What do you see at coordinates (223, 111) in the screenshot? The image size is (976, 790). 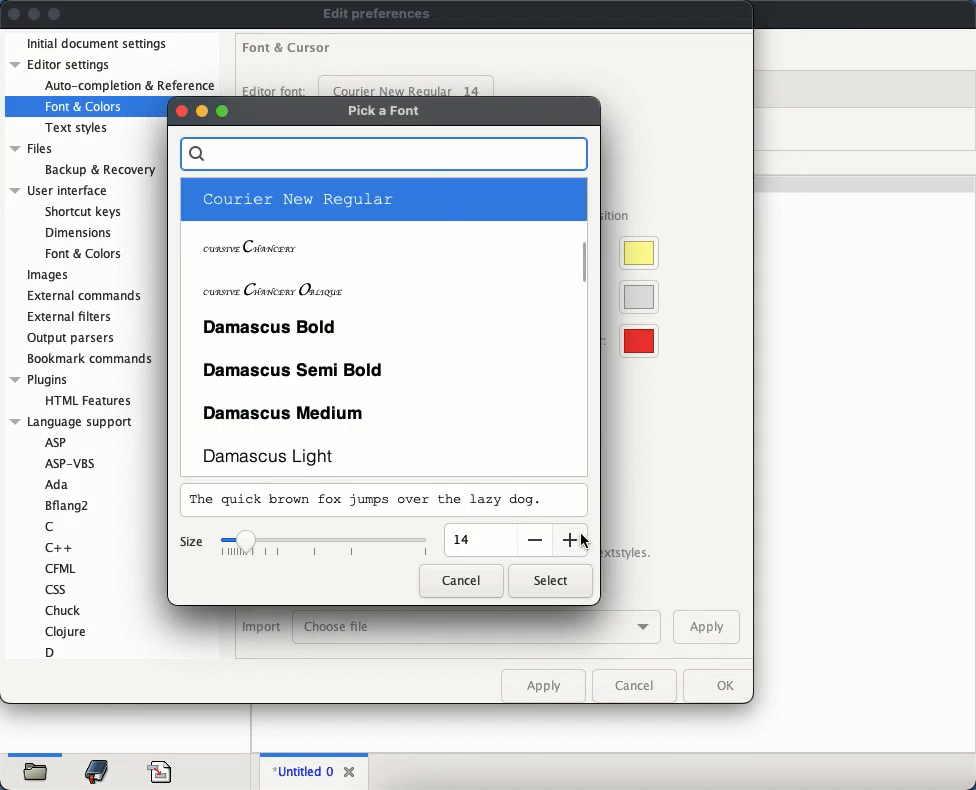 I see `maximize` at bounding box center [223, 111].